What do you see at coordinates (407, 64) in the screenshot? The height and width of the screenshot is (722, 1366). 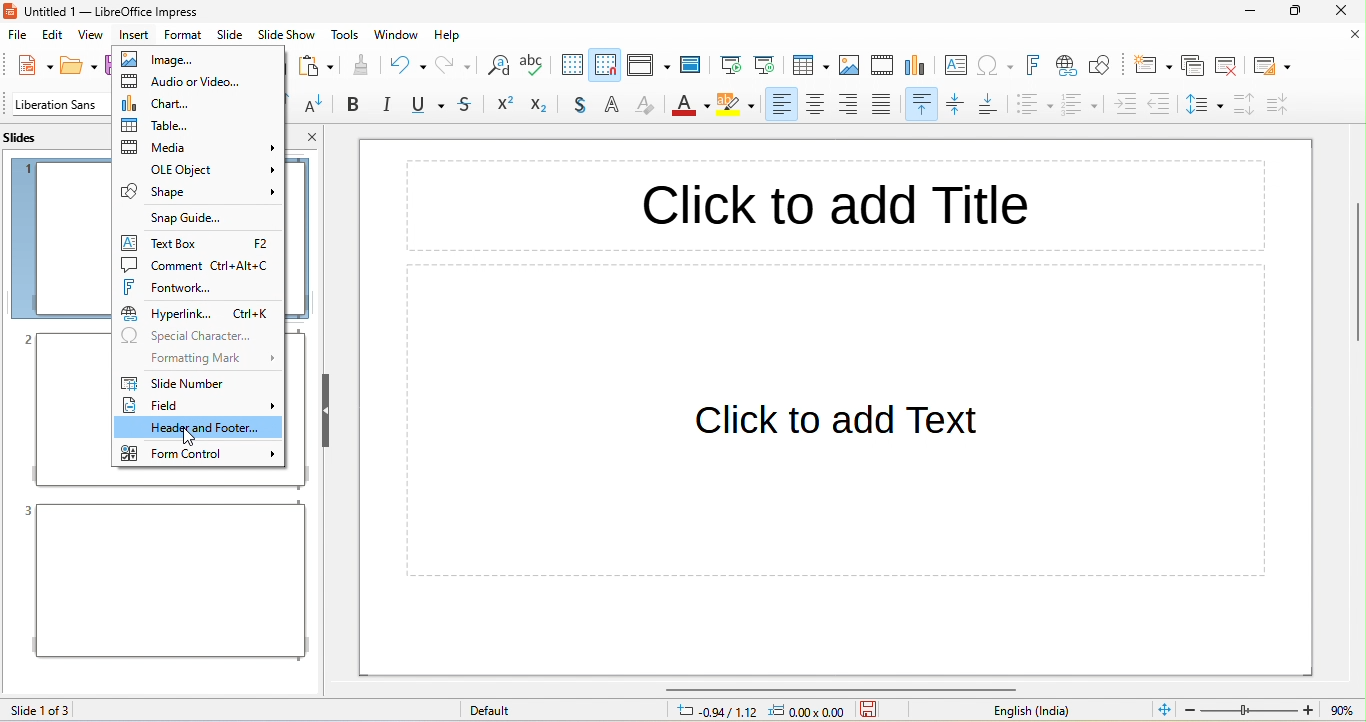 I see `undo` at bounding box center [407, 64].